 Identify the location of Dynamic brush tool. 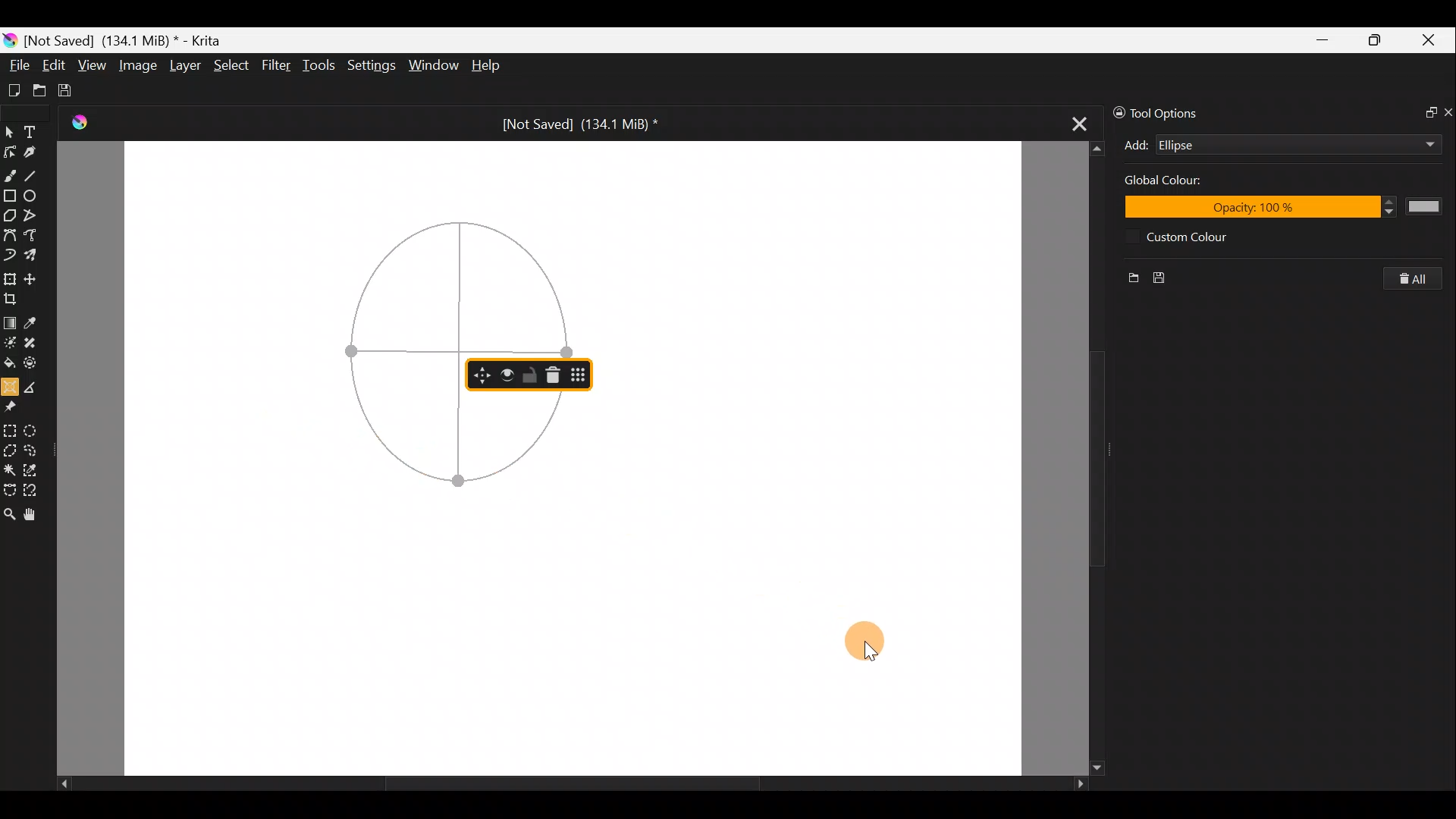
(9, 256).